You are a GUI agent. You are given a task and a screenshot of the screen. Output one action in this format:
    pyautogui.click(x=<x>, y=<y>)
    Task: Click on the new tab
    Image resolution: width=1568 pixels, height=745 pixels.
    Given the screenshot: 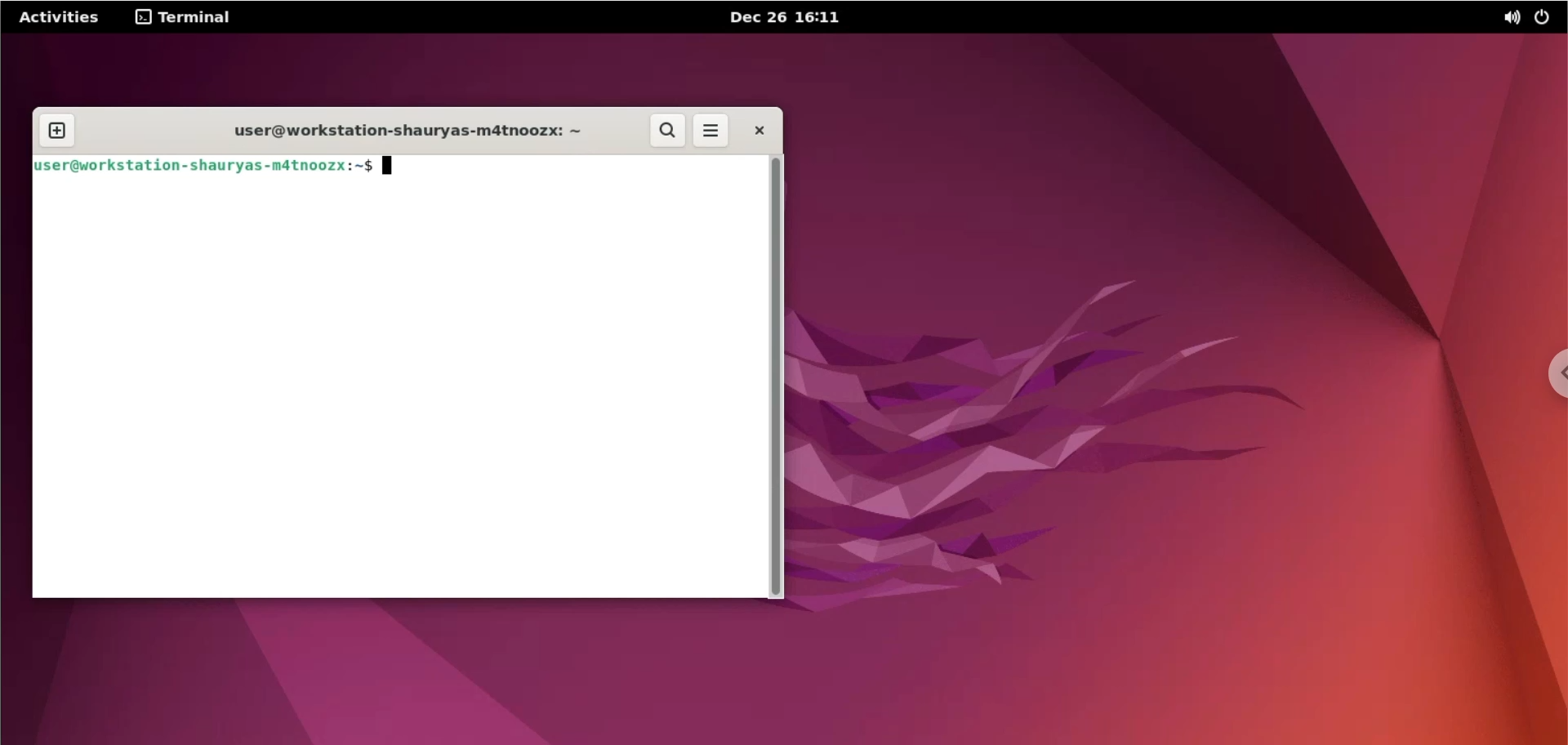 What is the action you would take?
    pyautogui.click(x=56, y=132)
    